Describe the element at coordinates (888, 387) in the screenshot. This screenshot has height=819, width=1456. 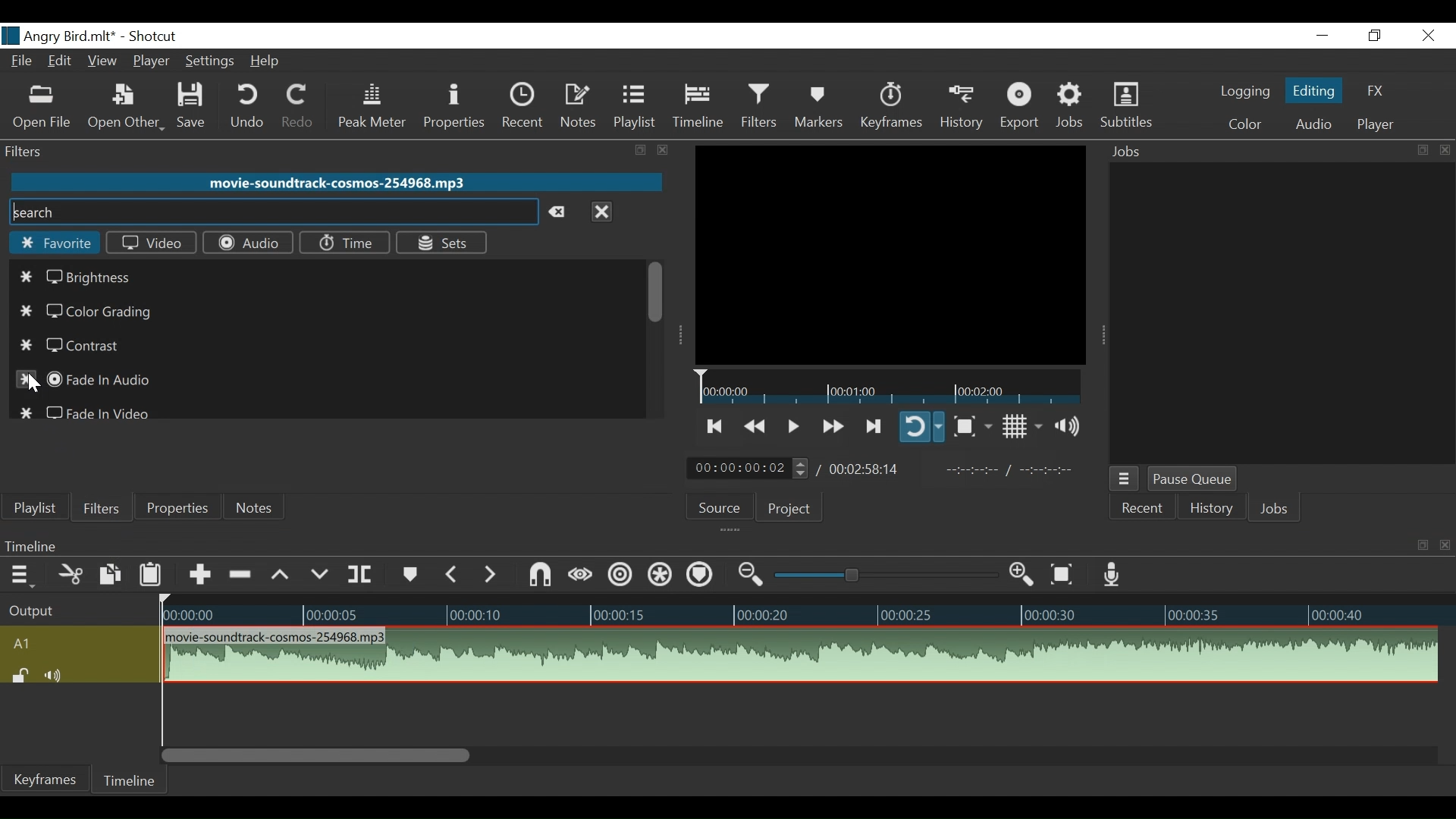
I see `Timeline` at that location.